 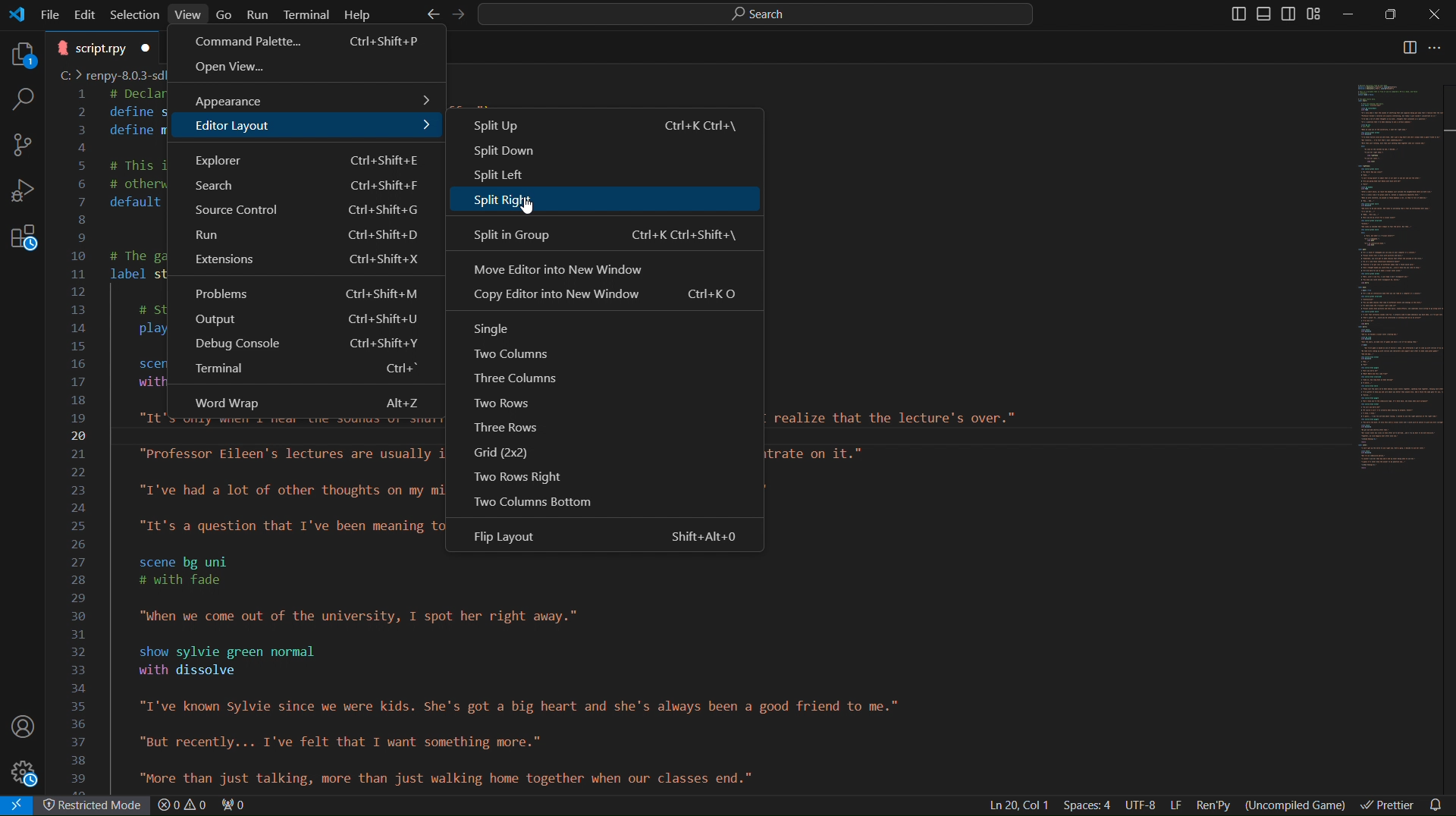 I want to click on Open View, so click(x=308, y=70).